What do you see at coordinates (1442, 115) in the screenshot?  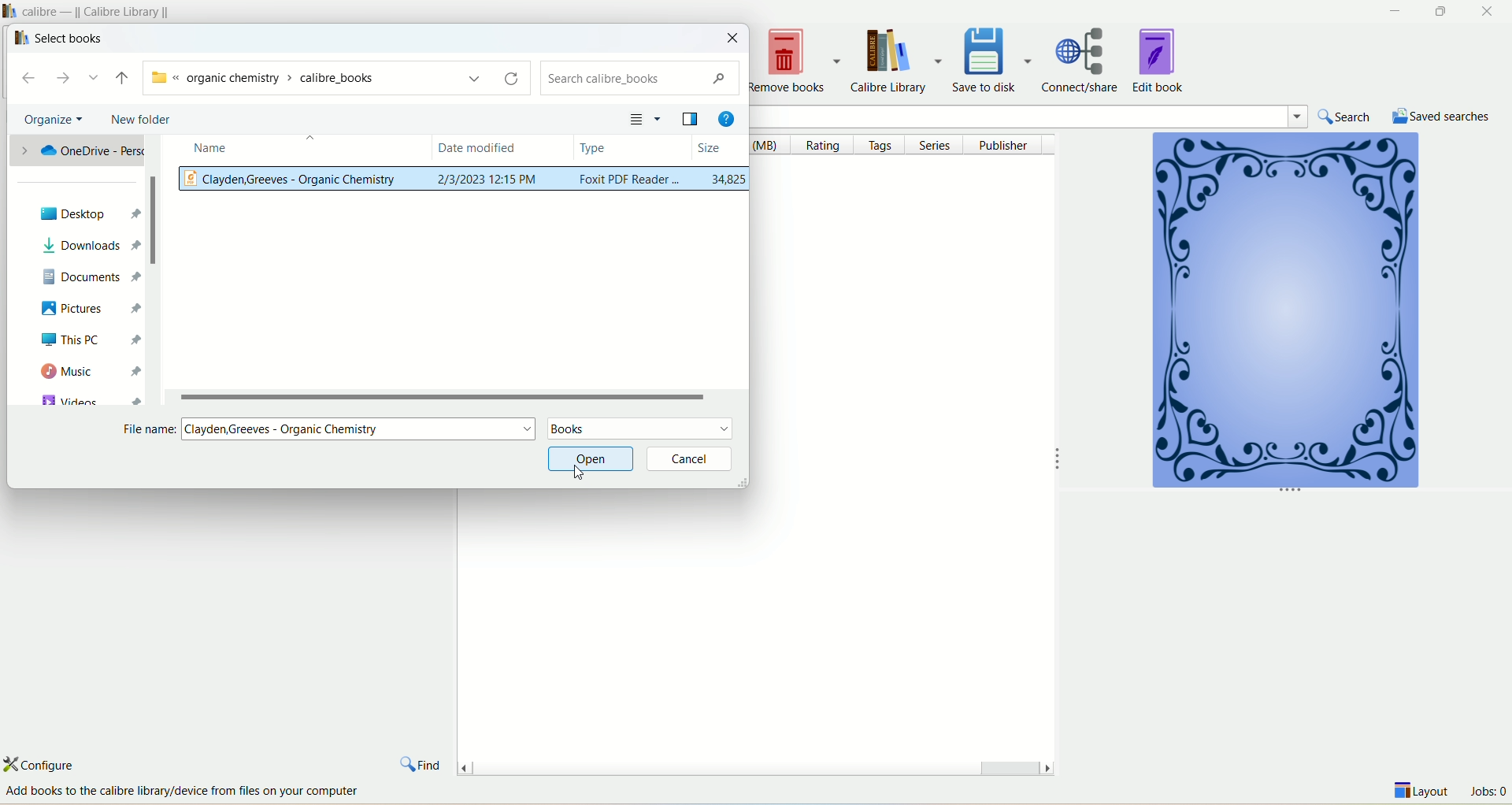 I see `saved searches` at bounding box center [1442, 115].